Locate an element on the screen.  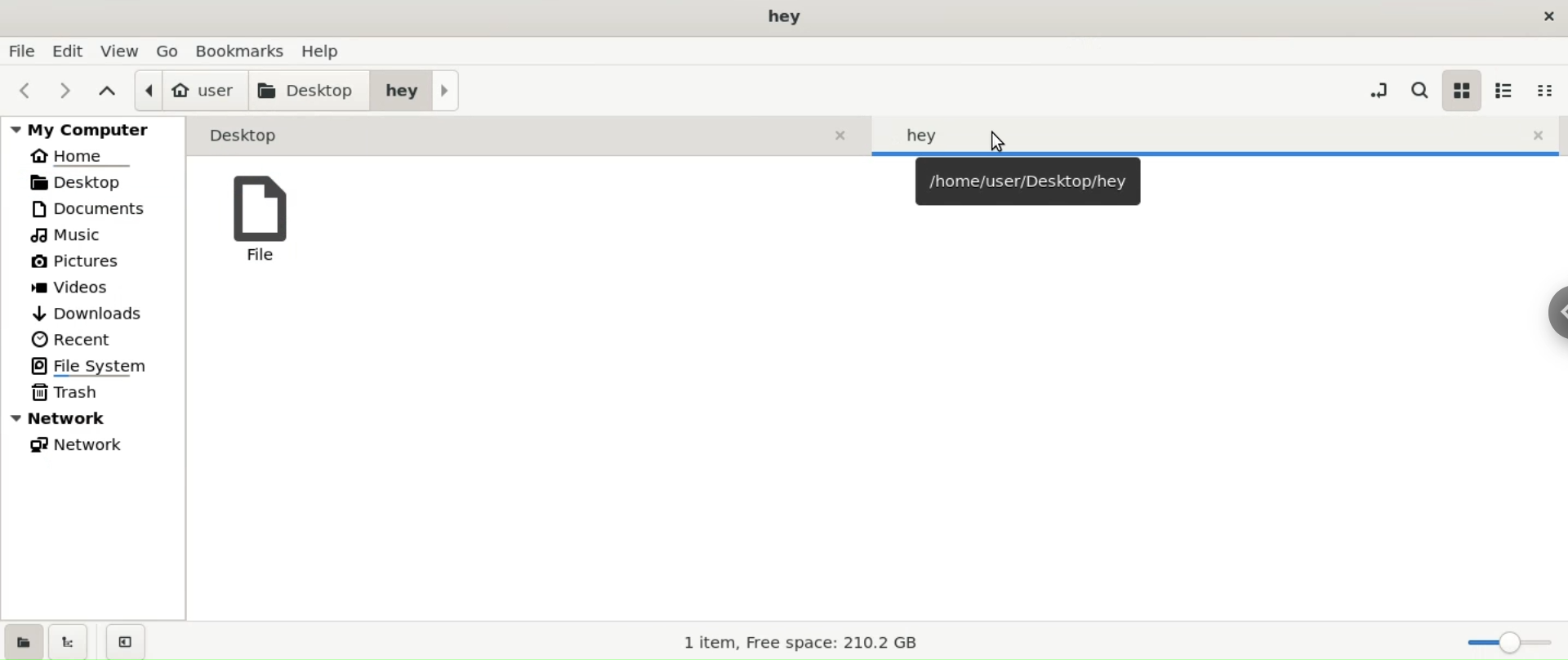
| /home/user/Desktop/hey is located at coordinates (1027, 181).